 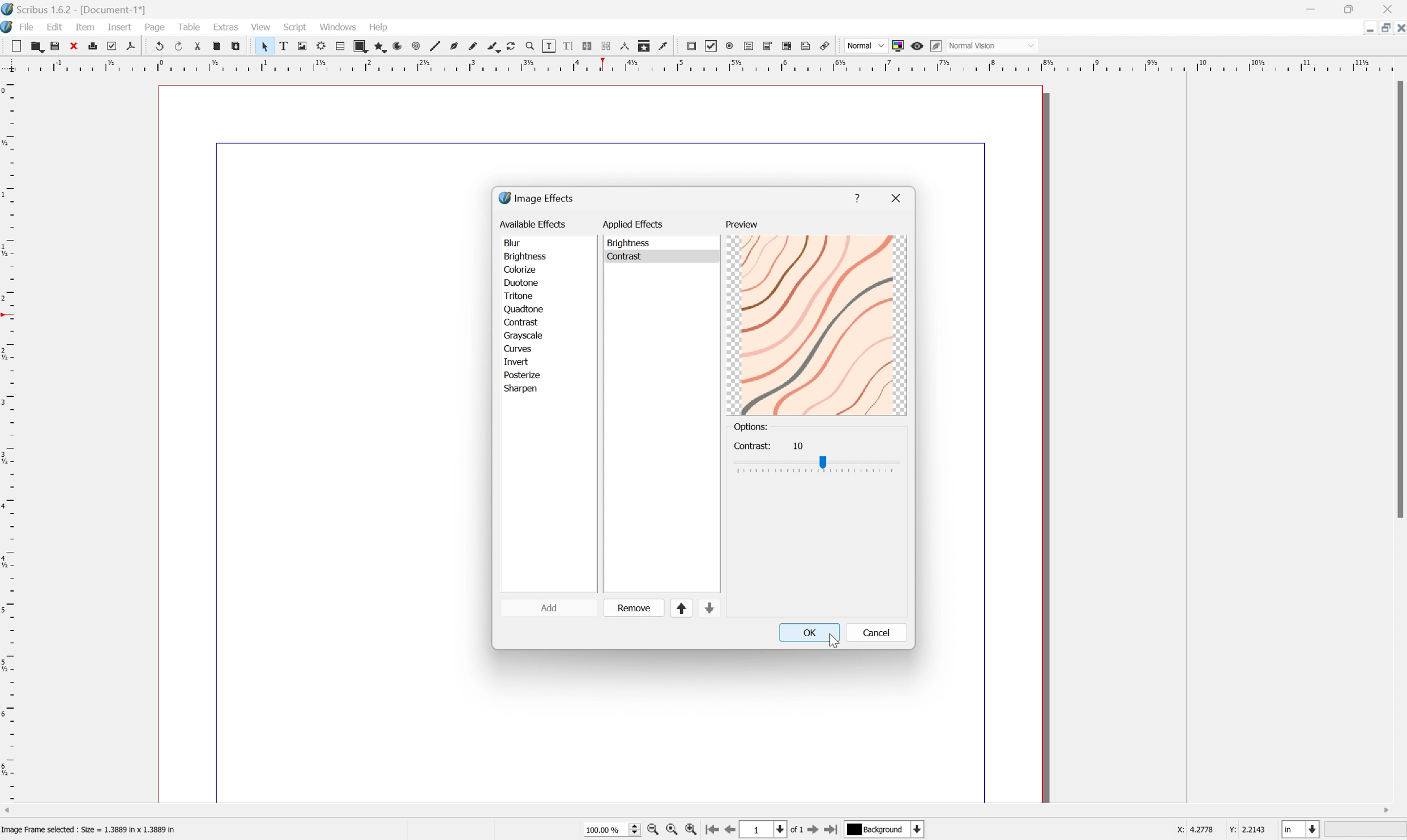 What do you see at coordinates (521, 282) in the screenshot?
I see `duotone` at bounding box center [521, 282].